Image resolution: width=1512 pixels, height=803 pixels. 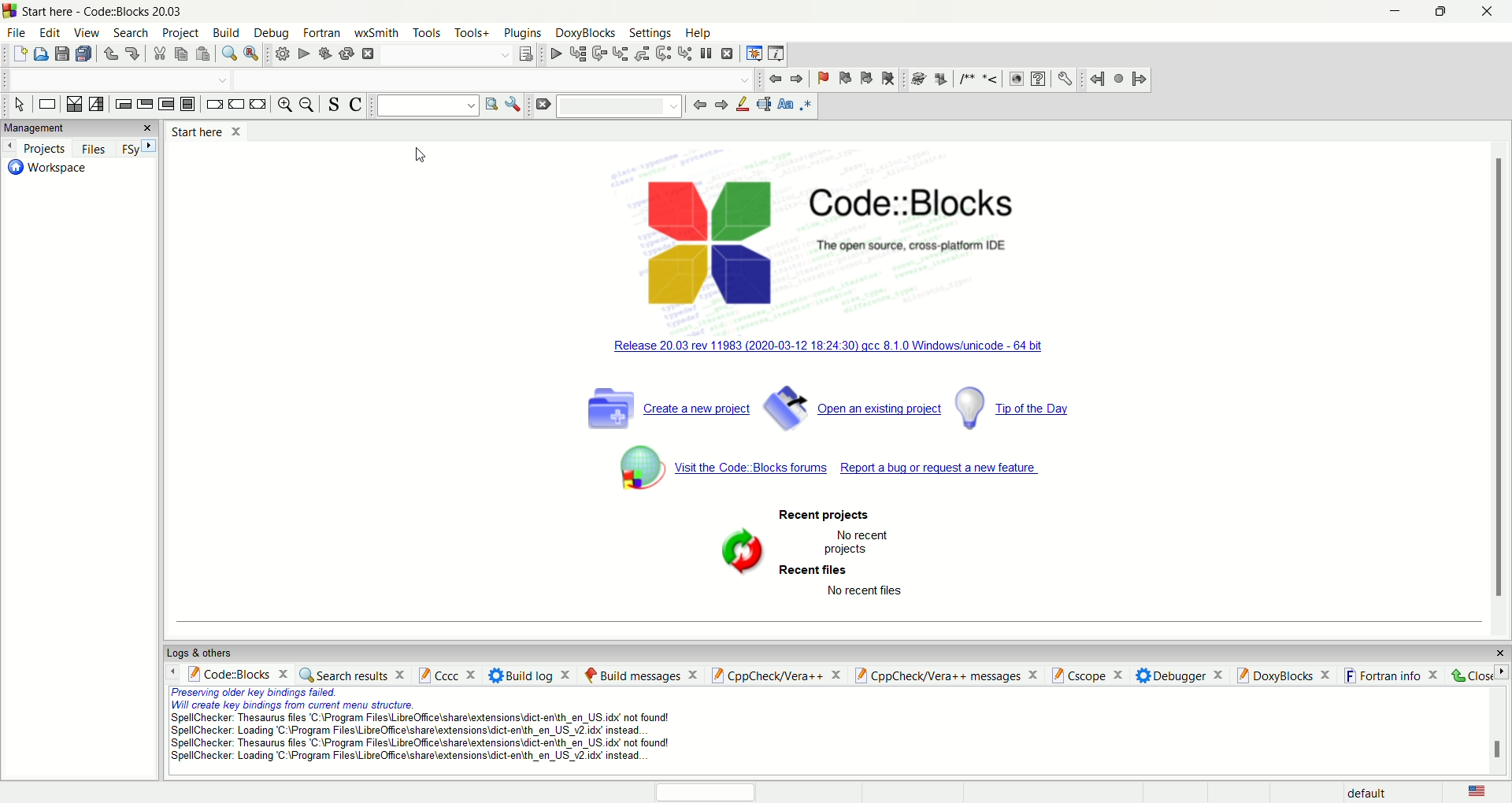 I want to click on debugger, so click(x=1180, y=676).